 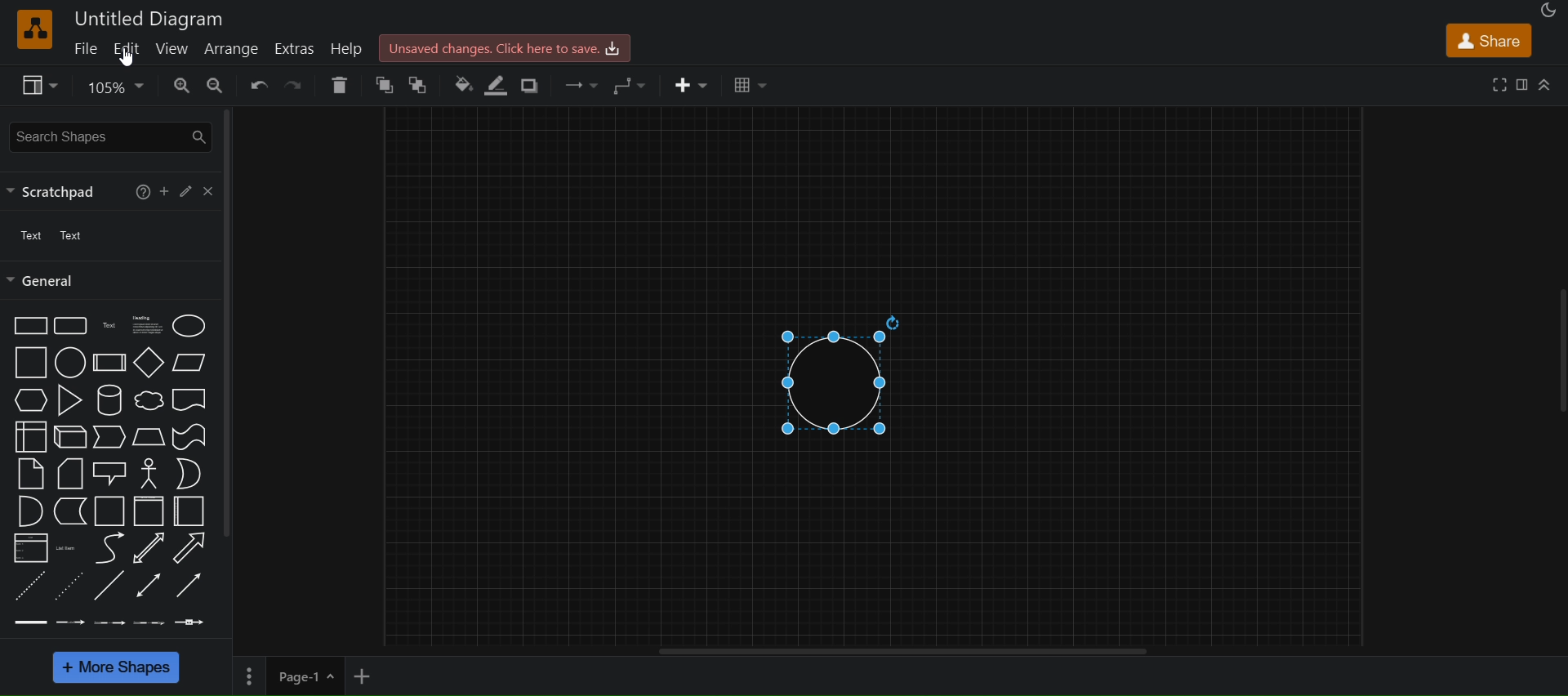 What do you see at coordinates (498, 85) in the screenshot?
I see `line color` at bounding box center [498, 85].